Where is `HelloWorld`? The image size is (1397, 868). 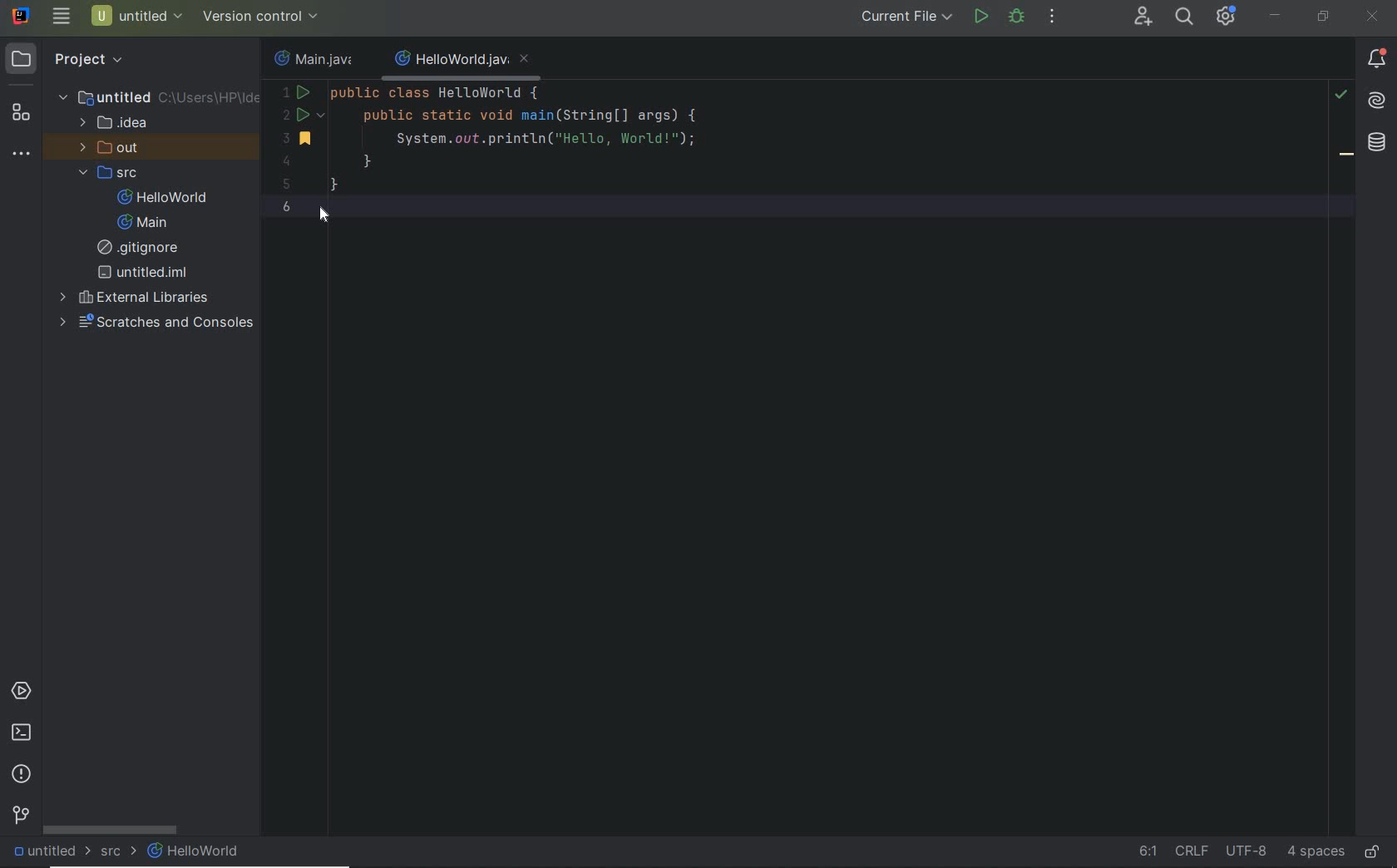 HelloWorld is located at coordinates (195, 851).